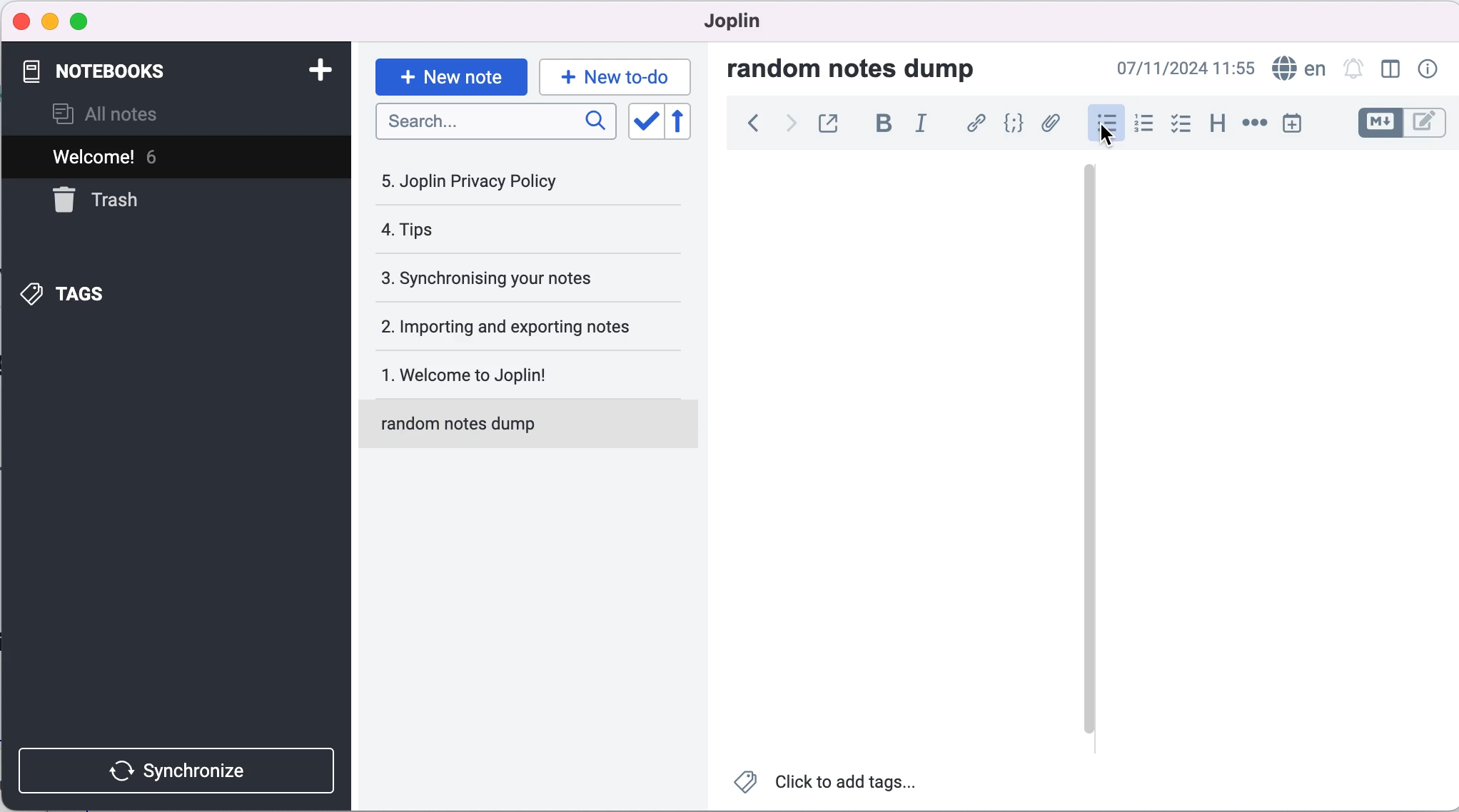  Describe the element at coordinates (131, 201) in the screenshot. I see `trash` at that location.